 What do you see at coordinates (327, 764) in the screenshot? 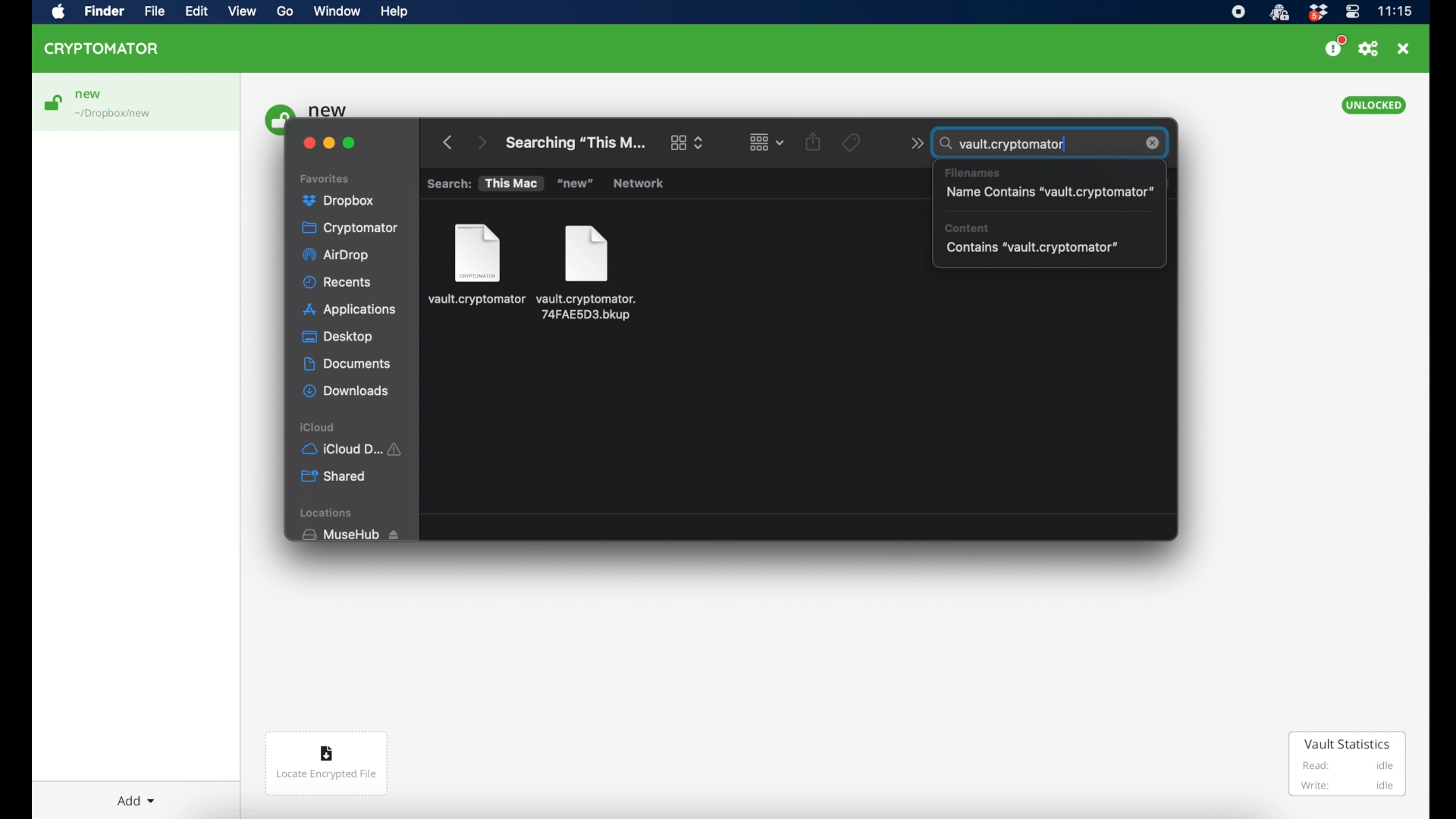
I see `locate encrypted file` at bounding box center [327, 764].